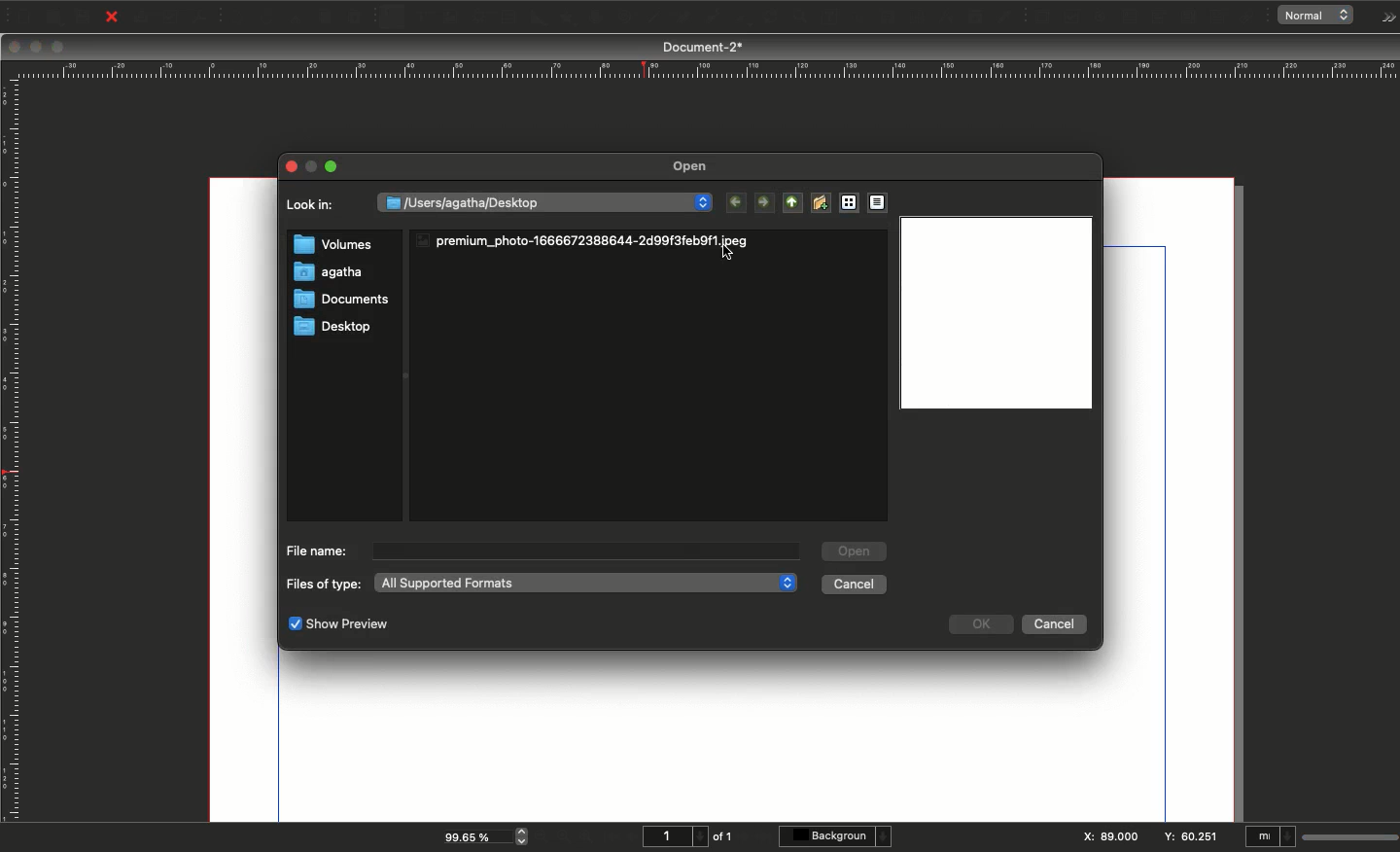 The height and width of the screenshot is (852, 1400). Describe the element at coordinates (765, 202) in the screenshot. I see `Next` at that location.